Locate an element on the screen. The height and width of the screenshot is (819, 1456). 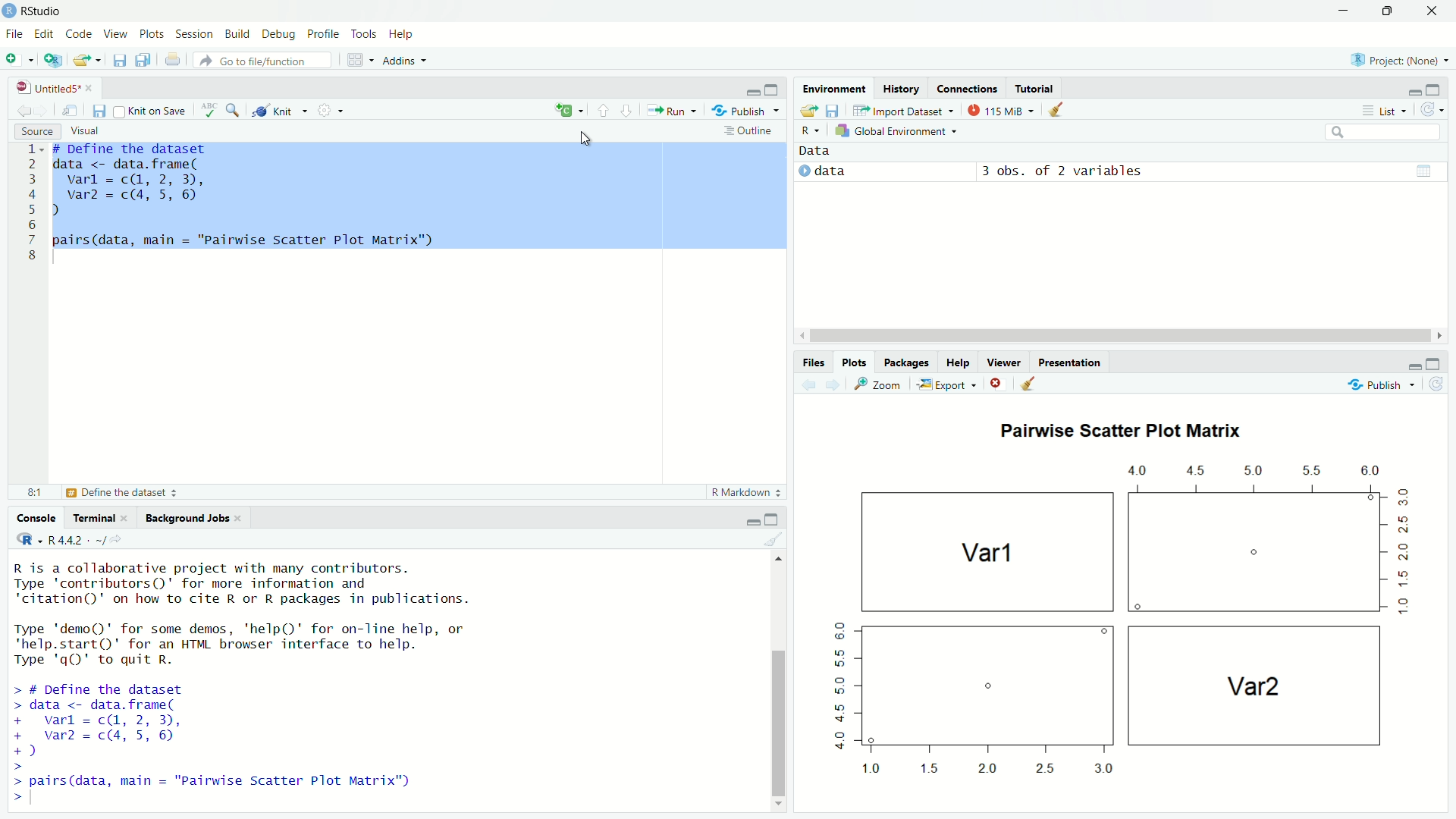
Addins is located at coordinates (407, 59).